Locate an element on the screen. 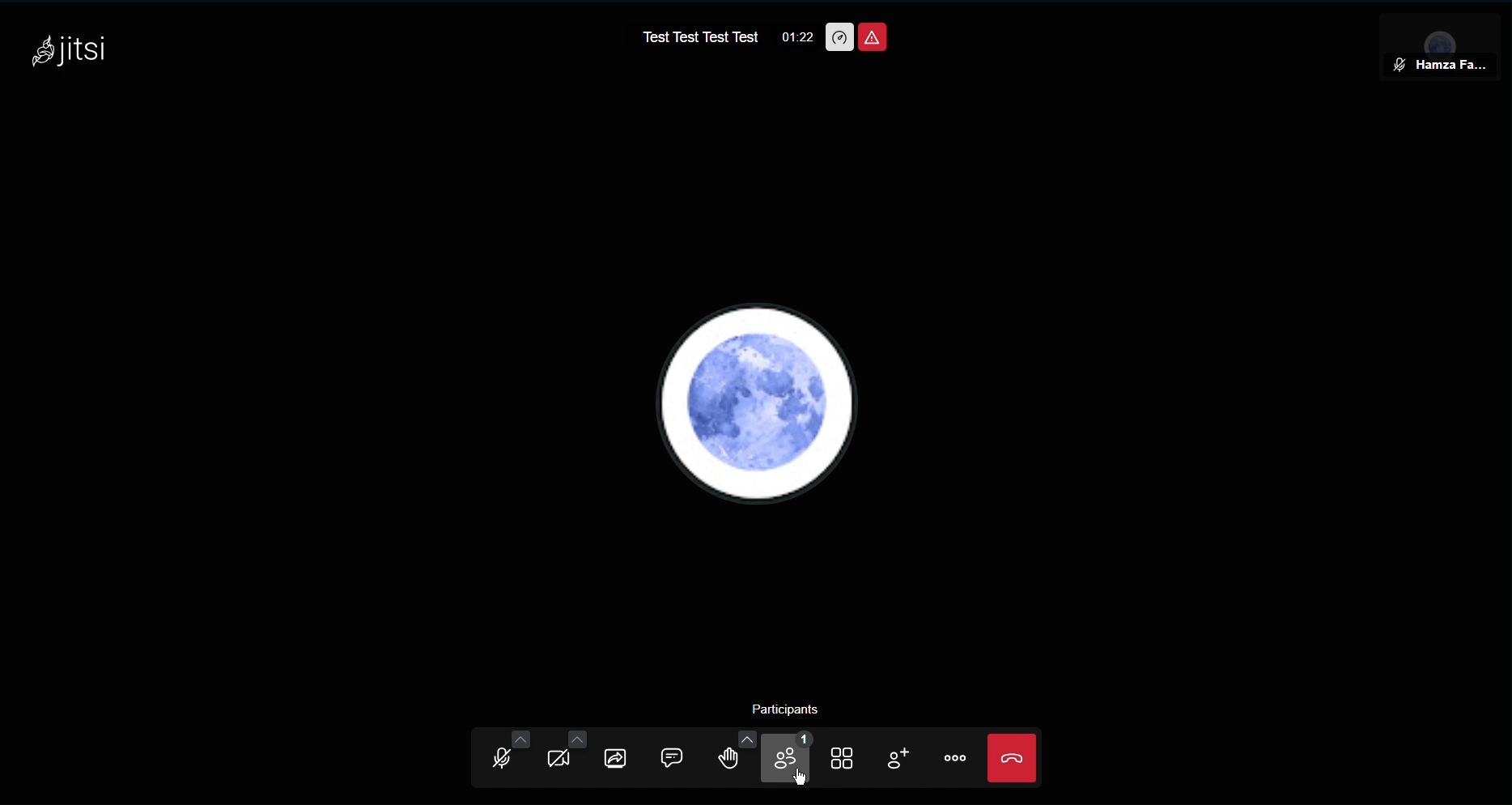 This screenshot has width=1512, height=805. Test Name is located at coordinates (692, 36).